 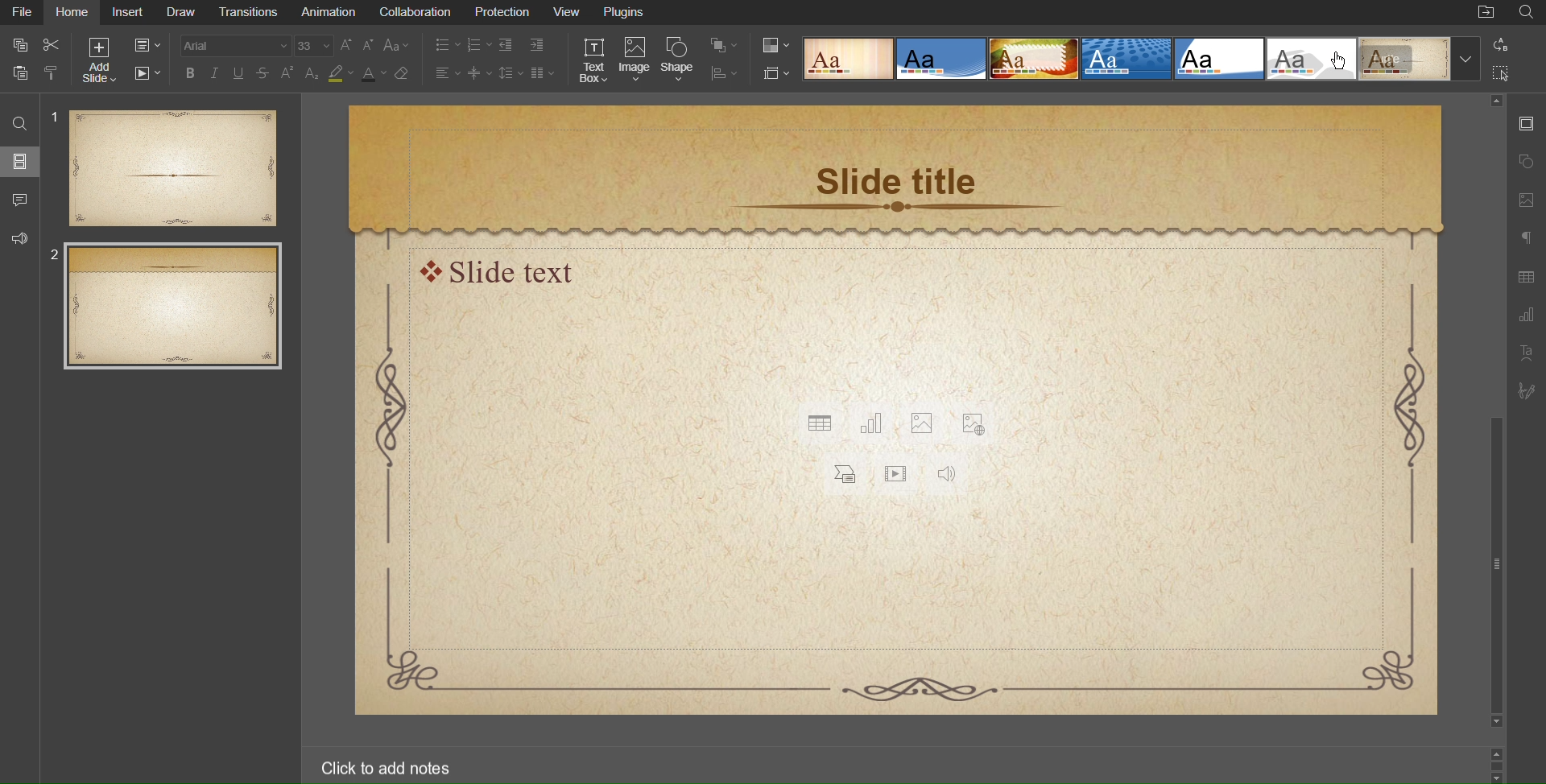 What do you see at coordinates (74, 14) in the screenshot?
I see `Home` at bounding box center [74, 14].